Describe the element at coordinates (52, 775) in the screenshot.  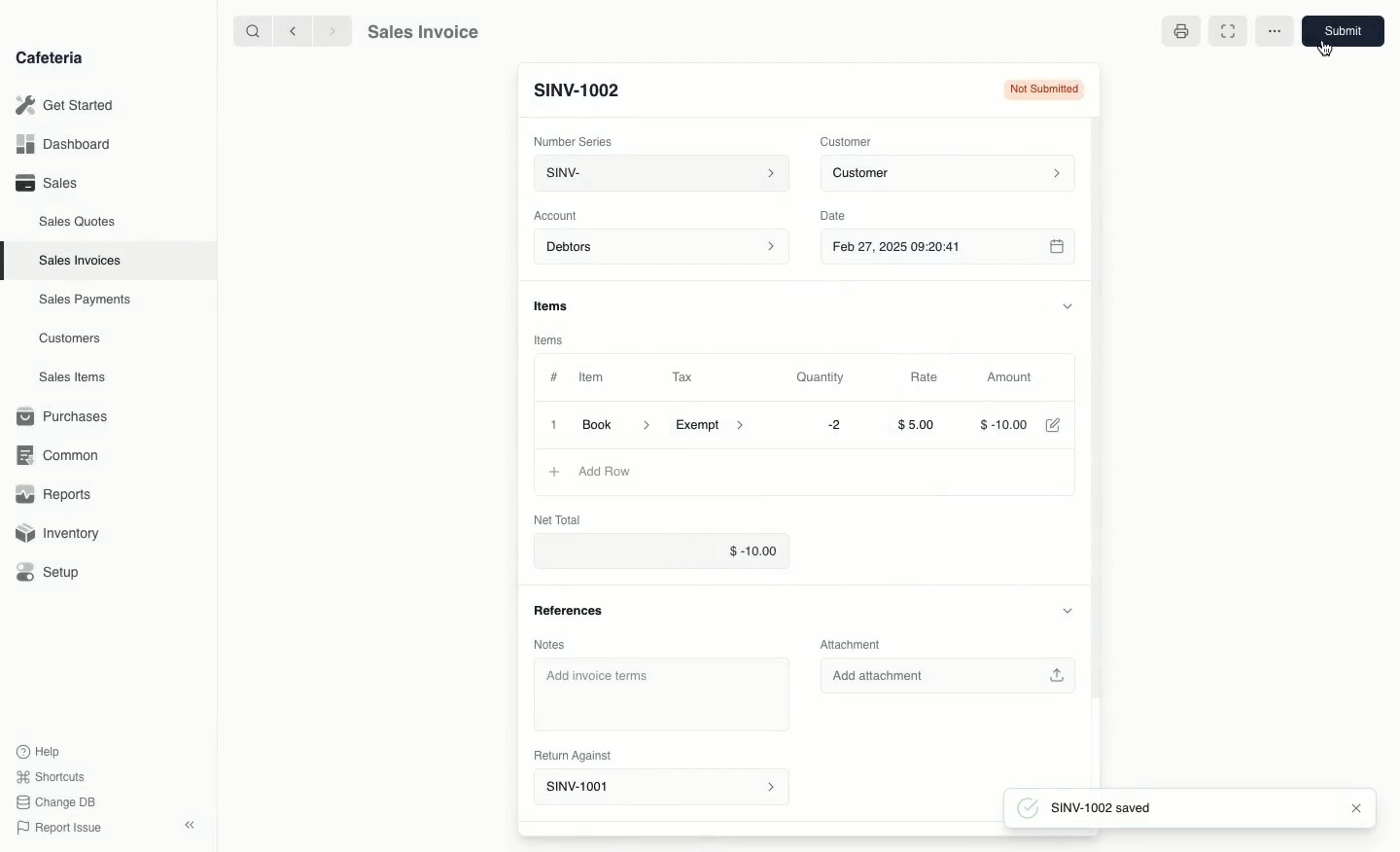
I see `Shortcuts` at that location.